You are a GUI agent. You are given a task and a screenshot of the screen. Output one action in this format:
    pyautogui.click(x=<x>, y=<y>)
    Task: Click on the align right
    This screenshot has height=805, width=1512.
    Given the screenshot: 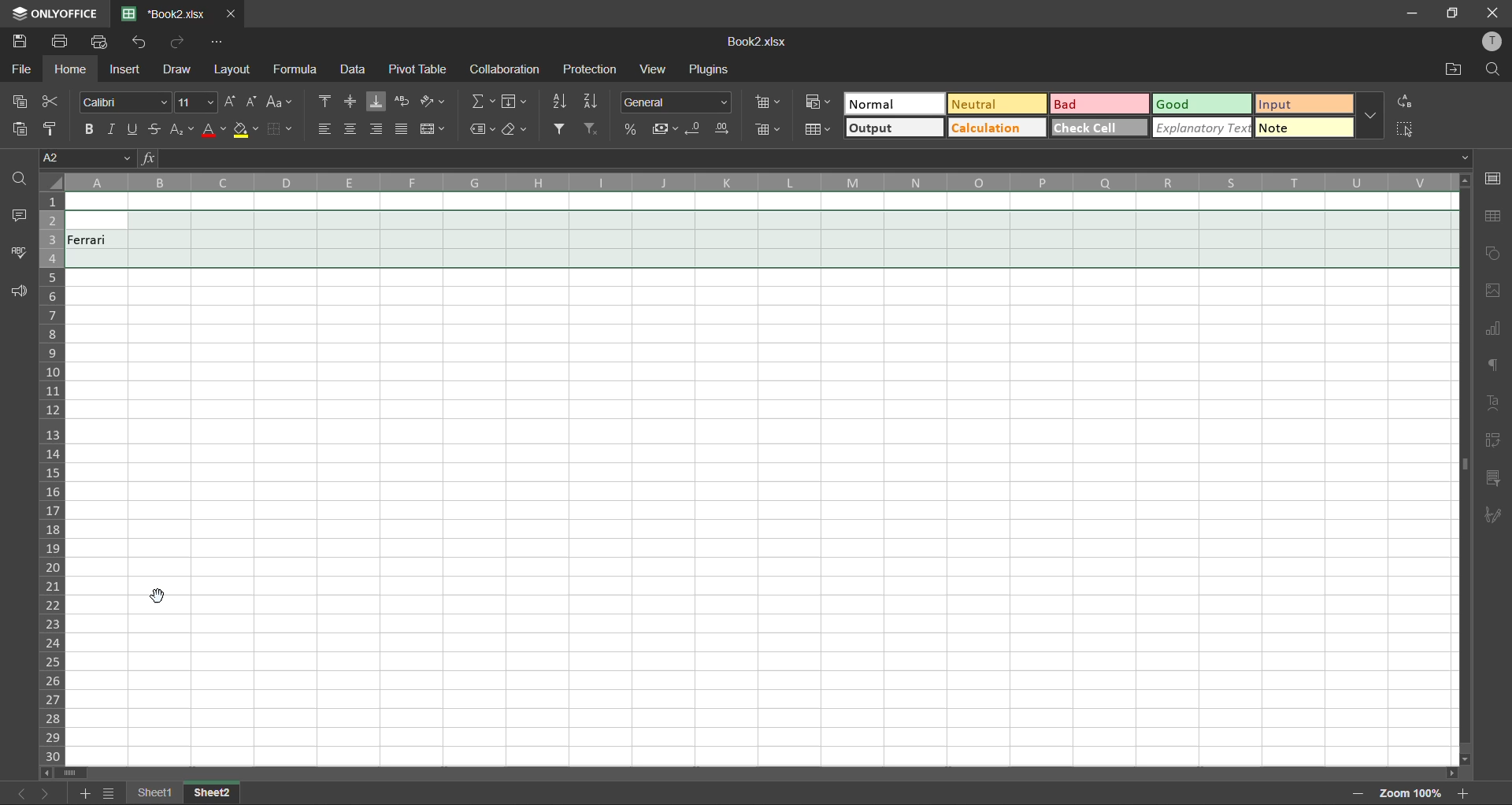 What is the action you would take?
    pyautogui.click(x=377, y=130)
    